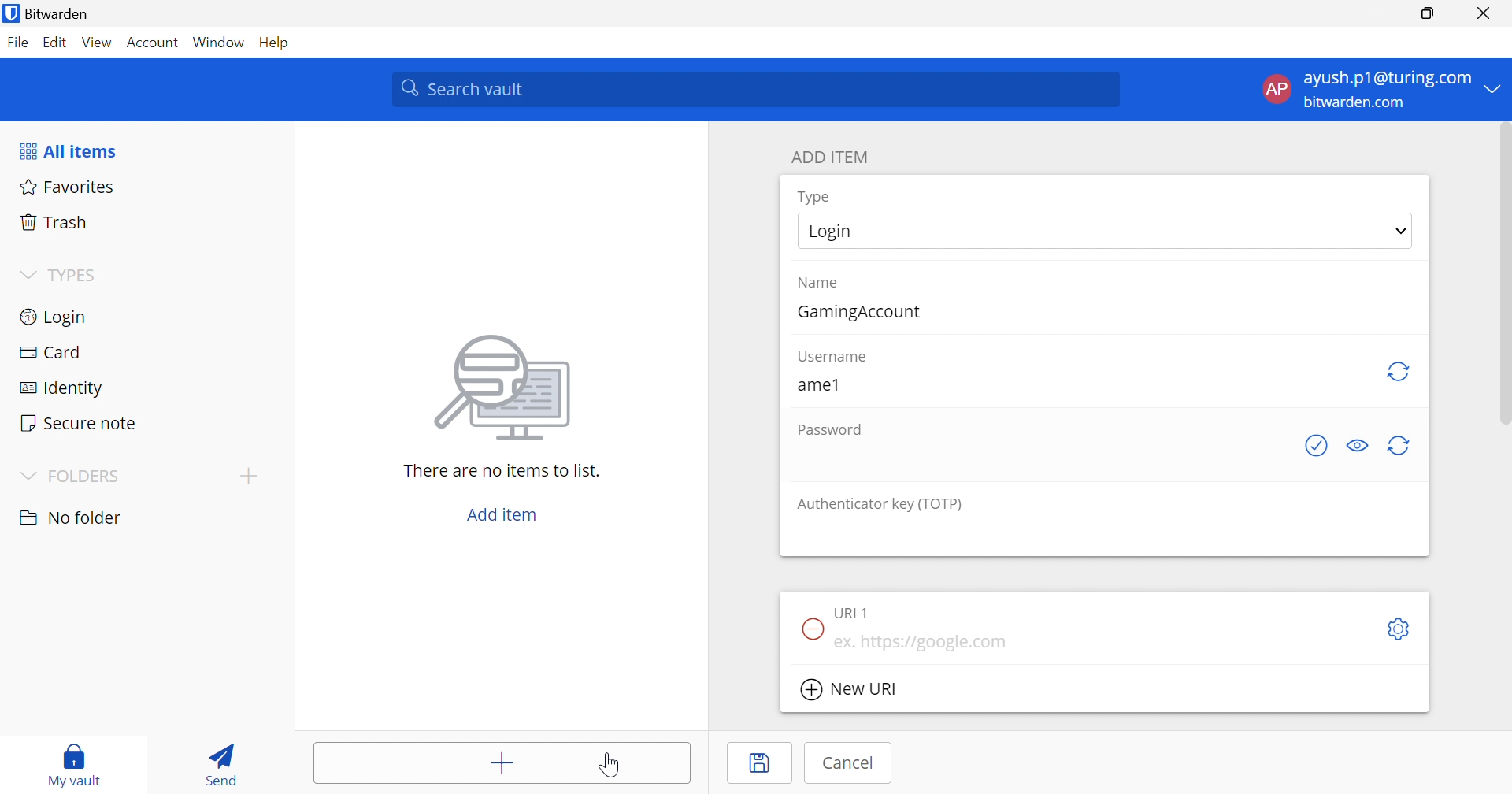 The image size is (1512, 794). What do you see at coordinates (863, 313) in the screenshot?
I see `GamingAccount` at bounding box center [863, 313].